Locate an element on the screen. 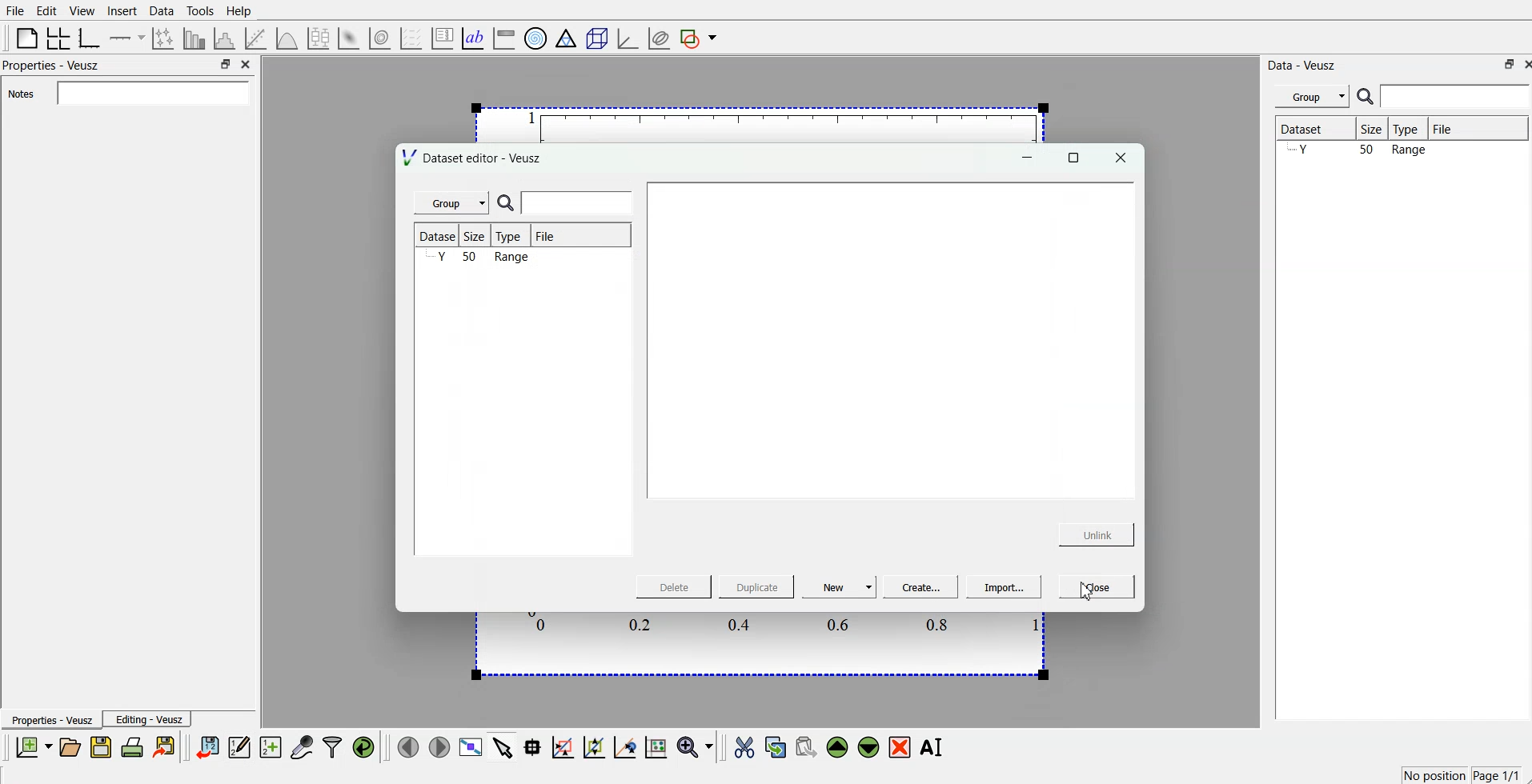 The width and height of the screenshot is (1532, 784). cursor is located at coordinates (1088, 594).